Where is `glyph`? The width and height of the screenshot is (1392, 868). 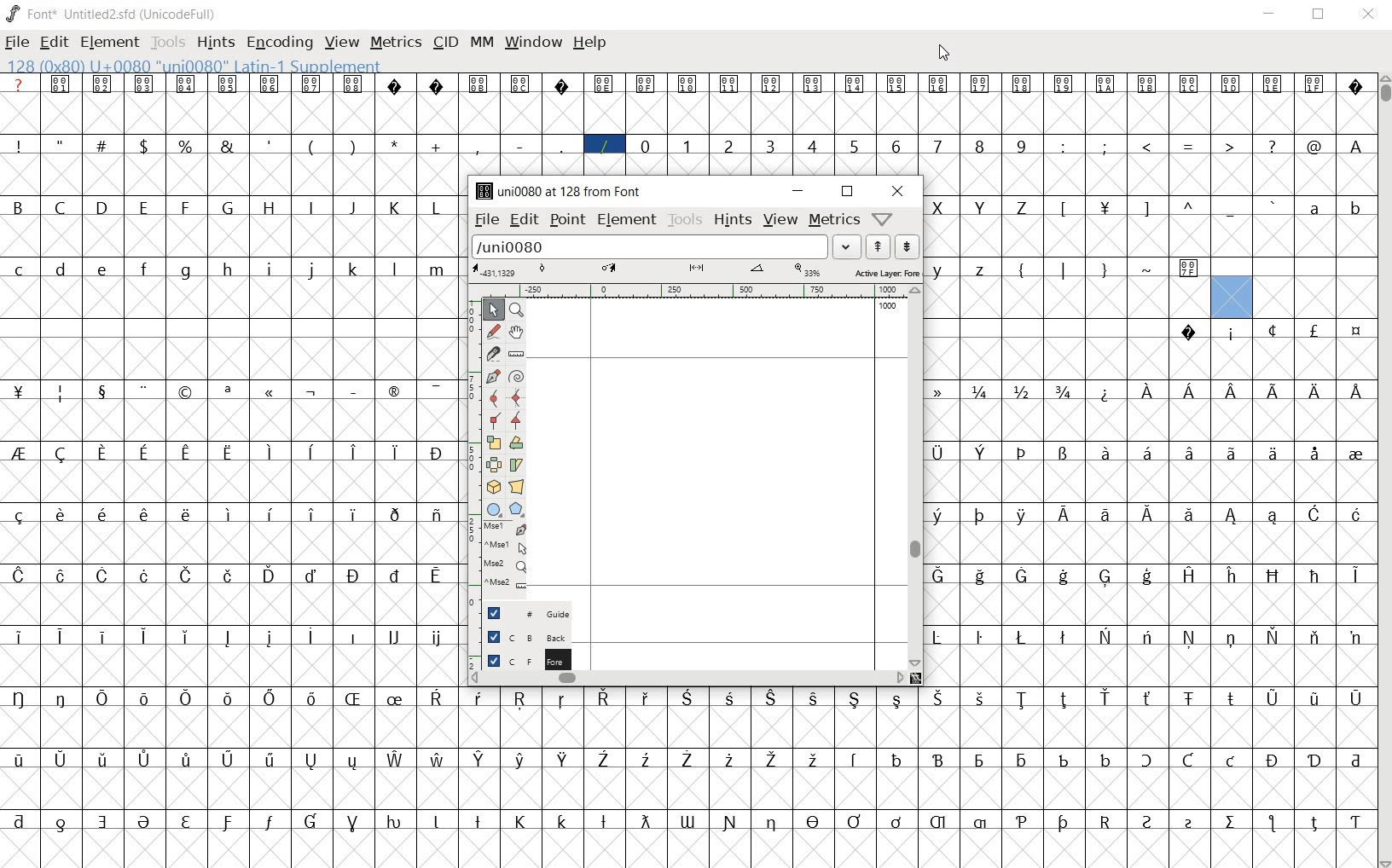
glyph is located at coordinates (1148, 515).